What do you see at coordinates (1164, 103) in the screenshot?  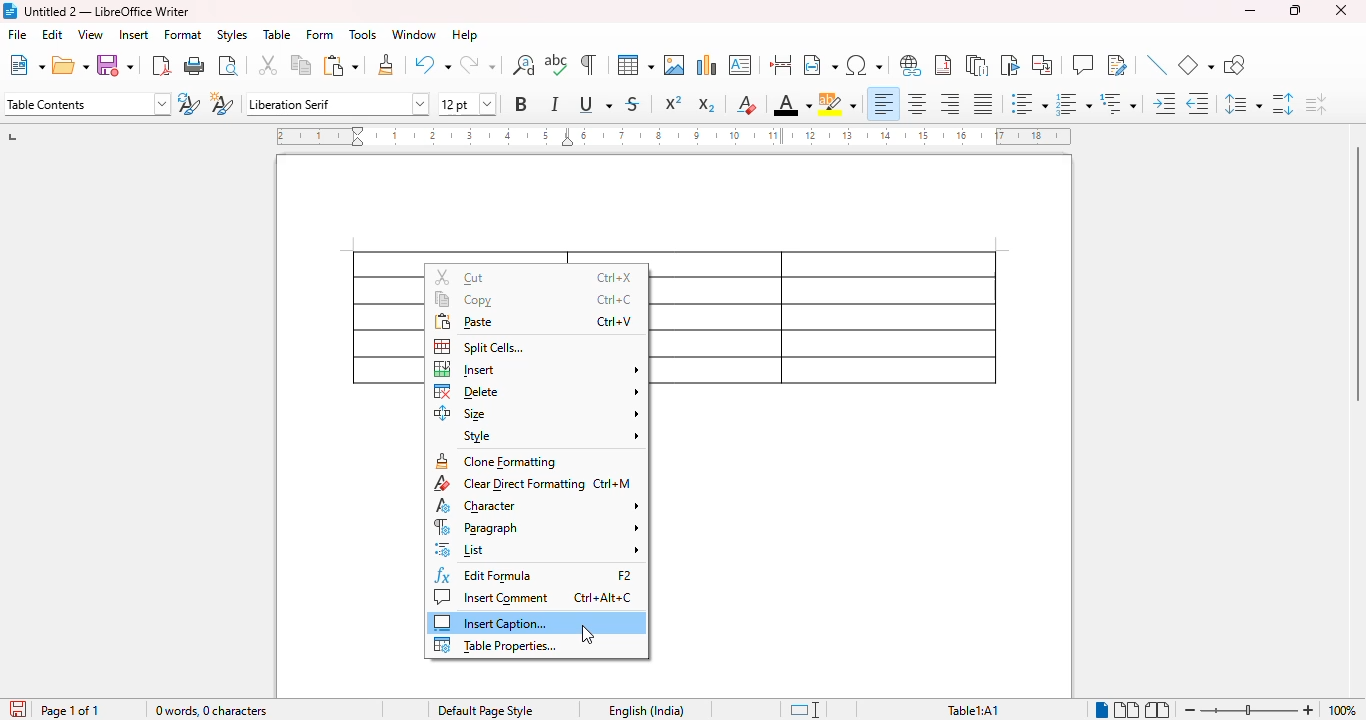 I see `increase indent` at bounding box center [1164, 103].